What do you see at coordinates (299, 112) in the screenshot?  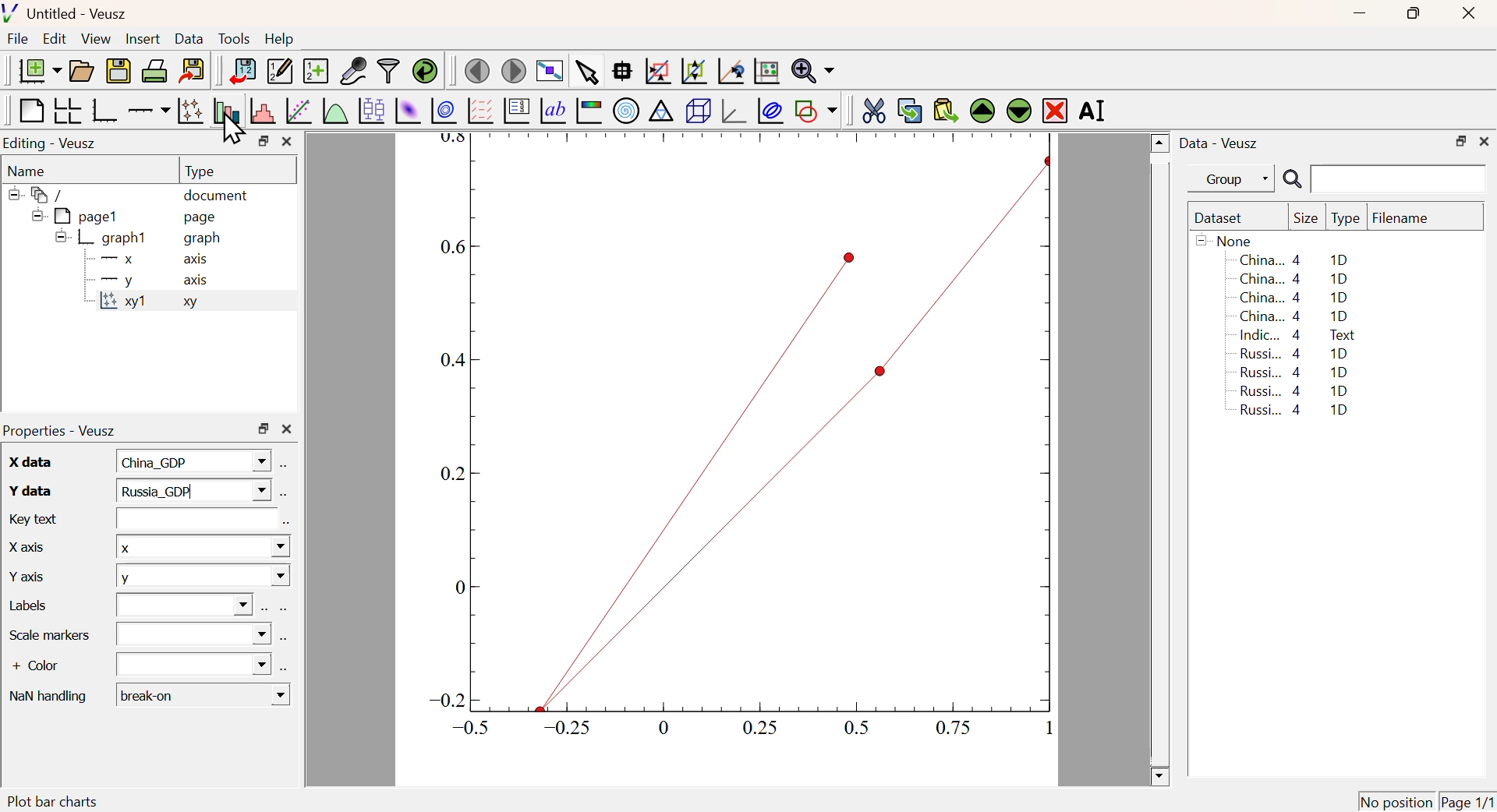 I see `Fit a function to data` at bounding box center [299, 112].